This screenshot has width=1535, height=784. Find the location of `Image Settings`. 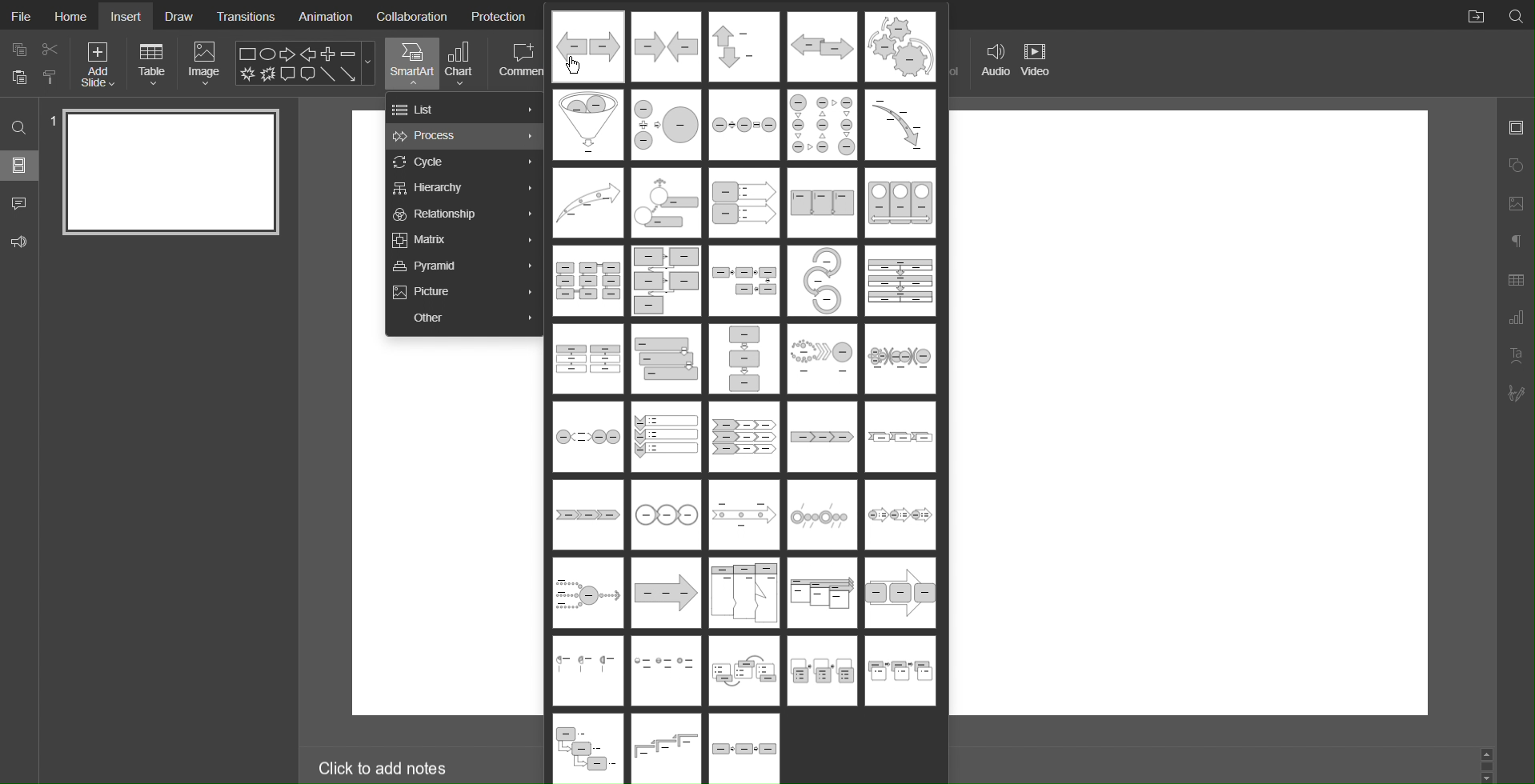

Image Settings is located at coordinates (1515, 205).